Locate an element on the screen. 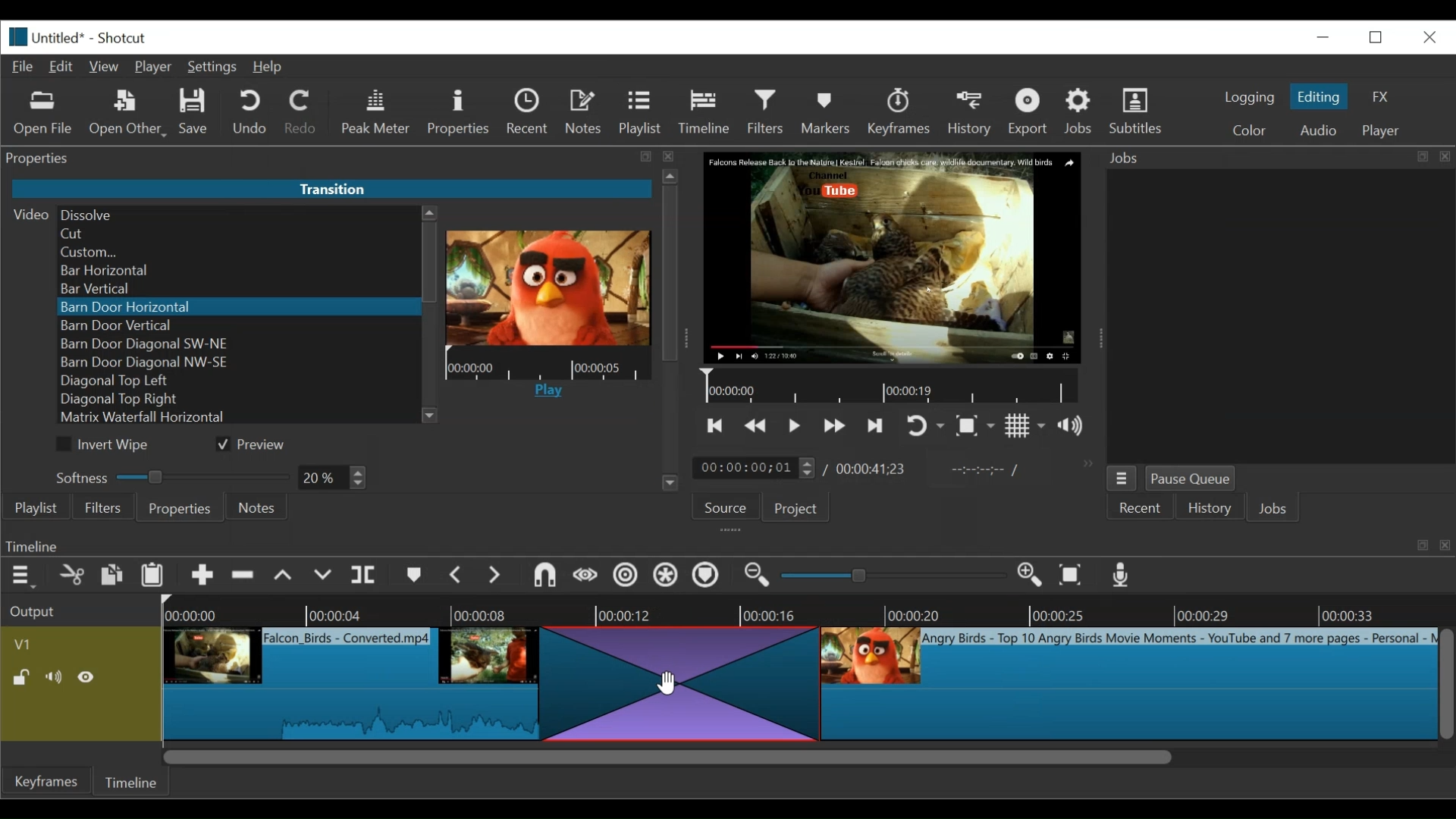 This screenshot has width=1456, height=819. Notes is located at coordinates (258, 507).